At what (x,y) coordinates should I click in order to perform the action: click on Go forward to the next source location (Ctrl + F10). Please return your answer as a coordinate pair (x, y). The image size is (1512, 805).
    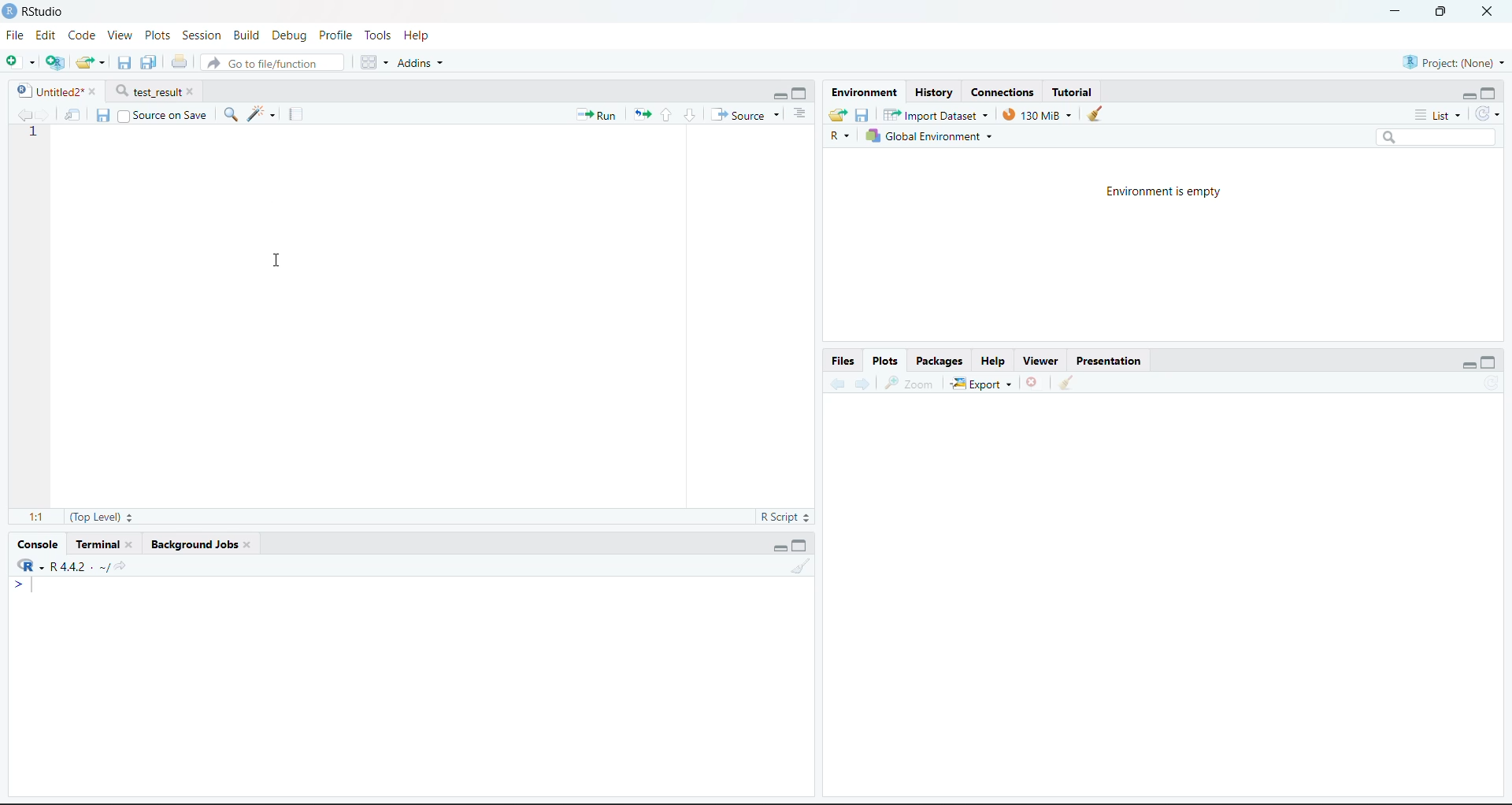
    Looking at the image, I should click on (49, 114).